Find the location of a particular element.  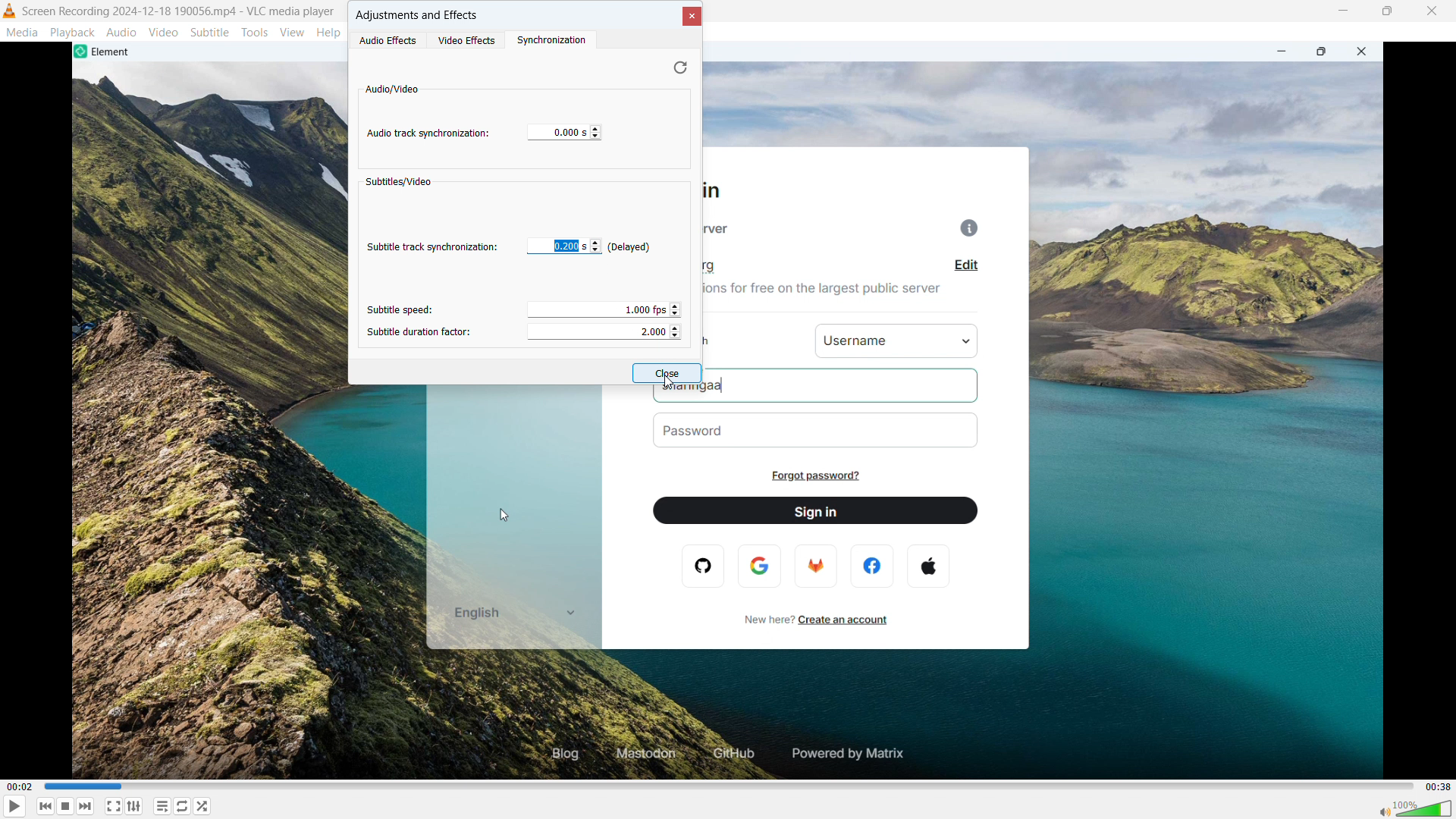

blog is located at coordinates (570, 758).